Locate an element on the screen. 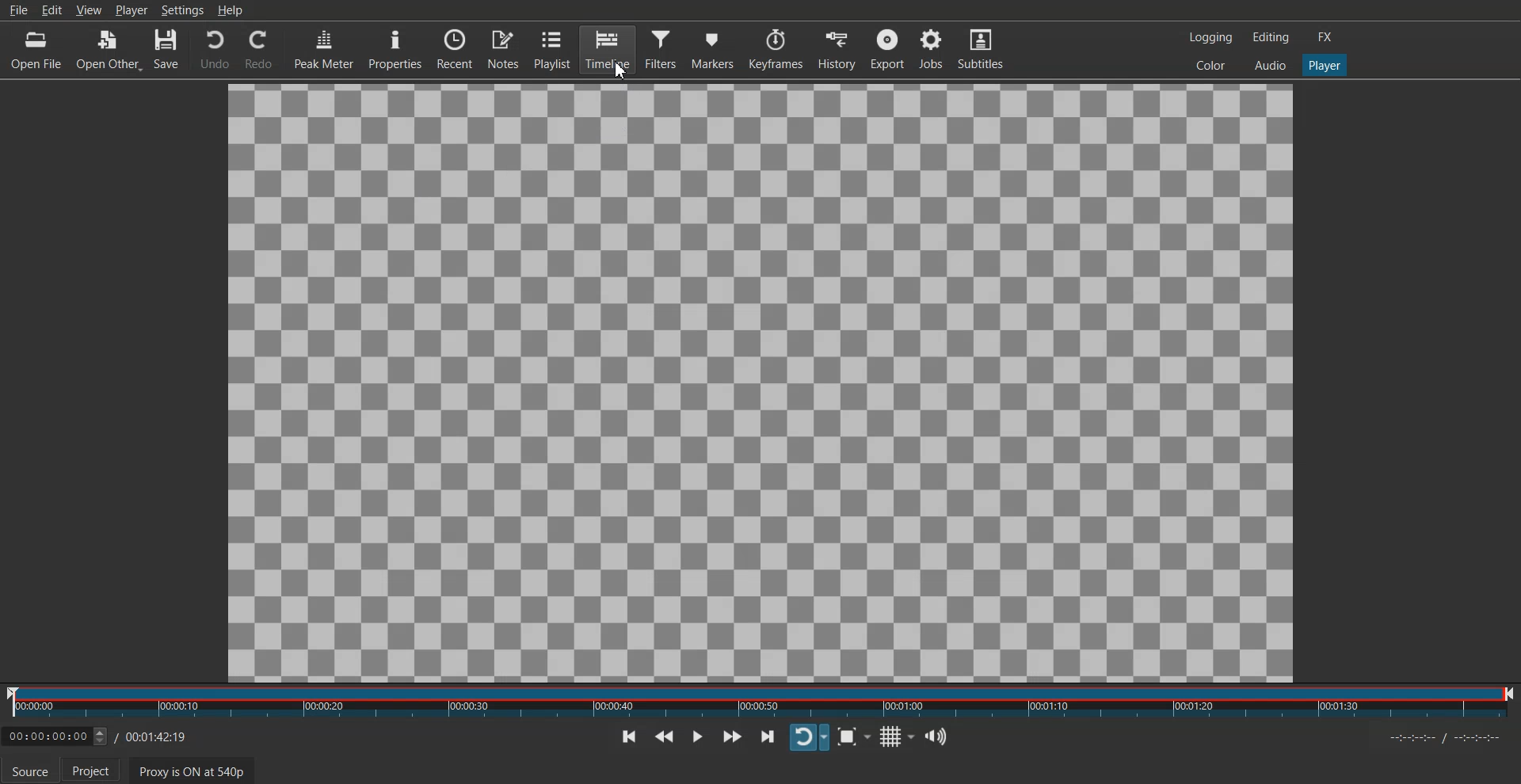 This screenshot has height=784, width=1521. Editing is located at coordinates (1271, 36).